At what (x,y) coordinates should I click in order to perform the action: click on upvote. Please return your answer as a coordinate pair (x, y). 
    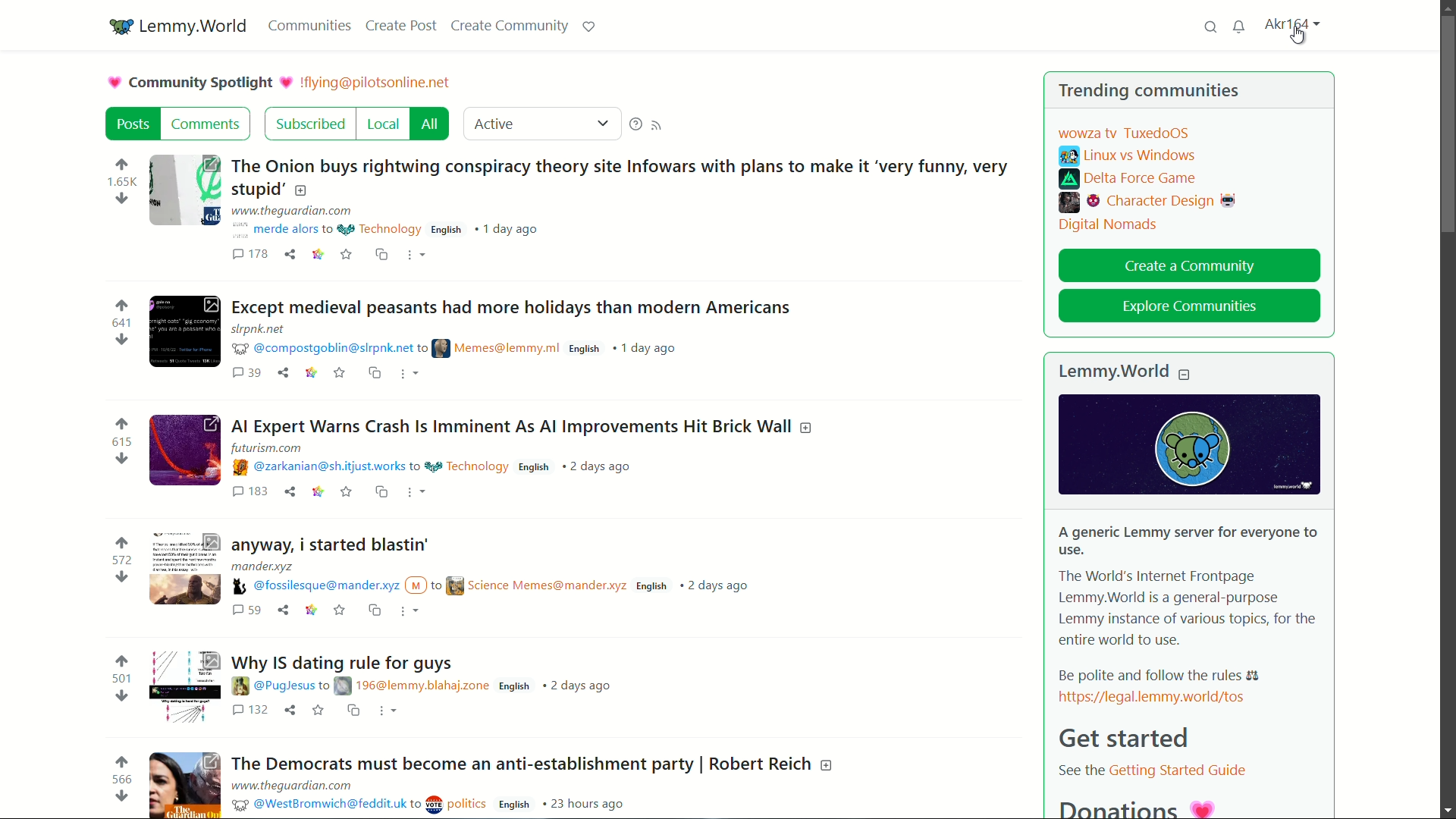
    Looking at the image, I should click on (124, 304).